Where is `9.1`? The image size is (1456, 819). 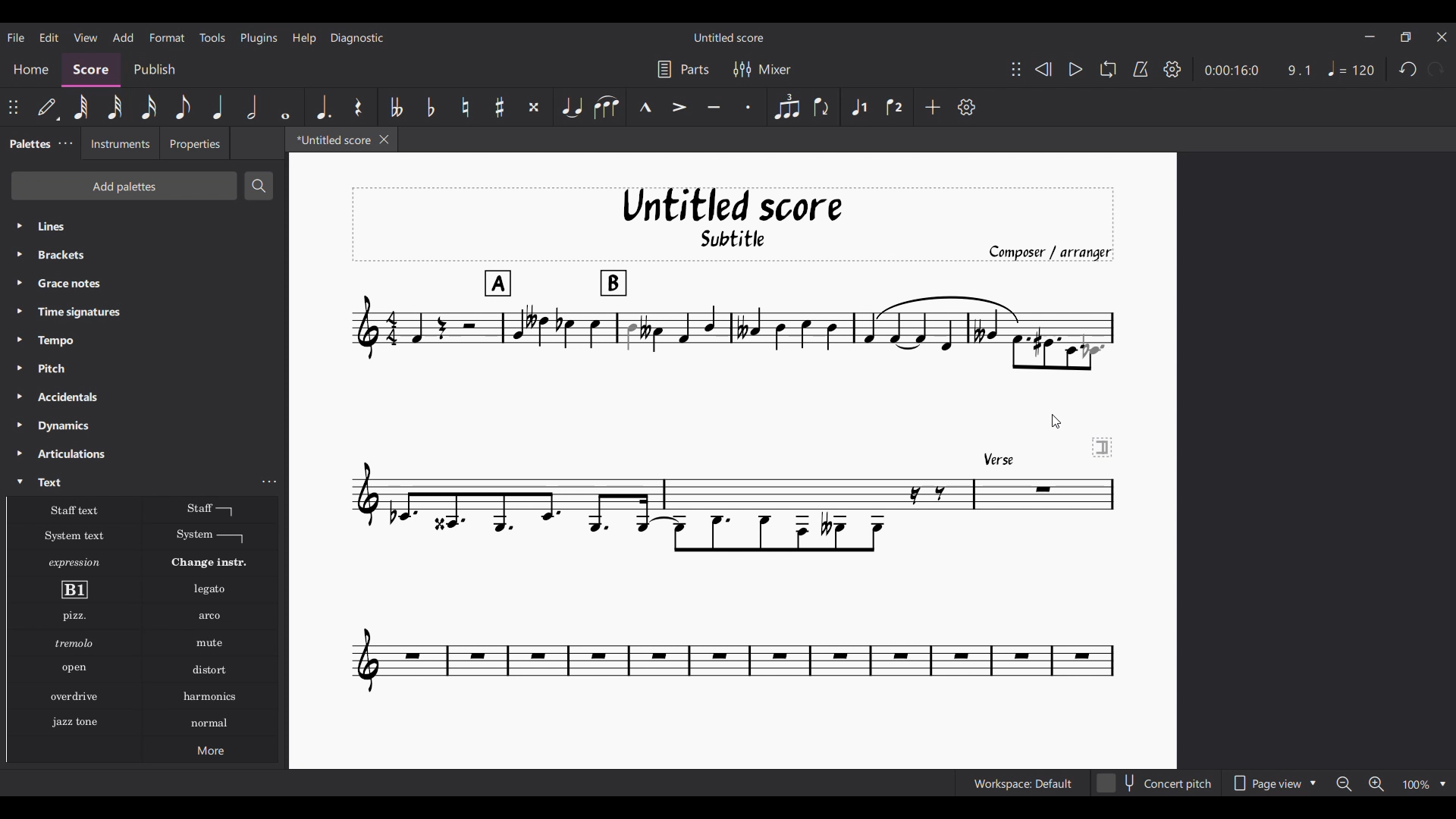
9.1 is located at coordinates (1298, 70).